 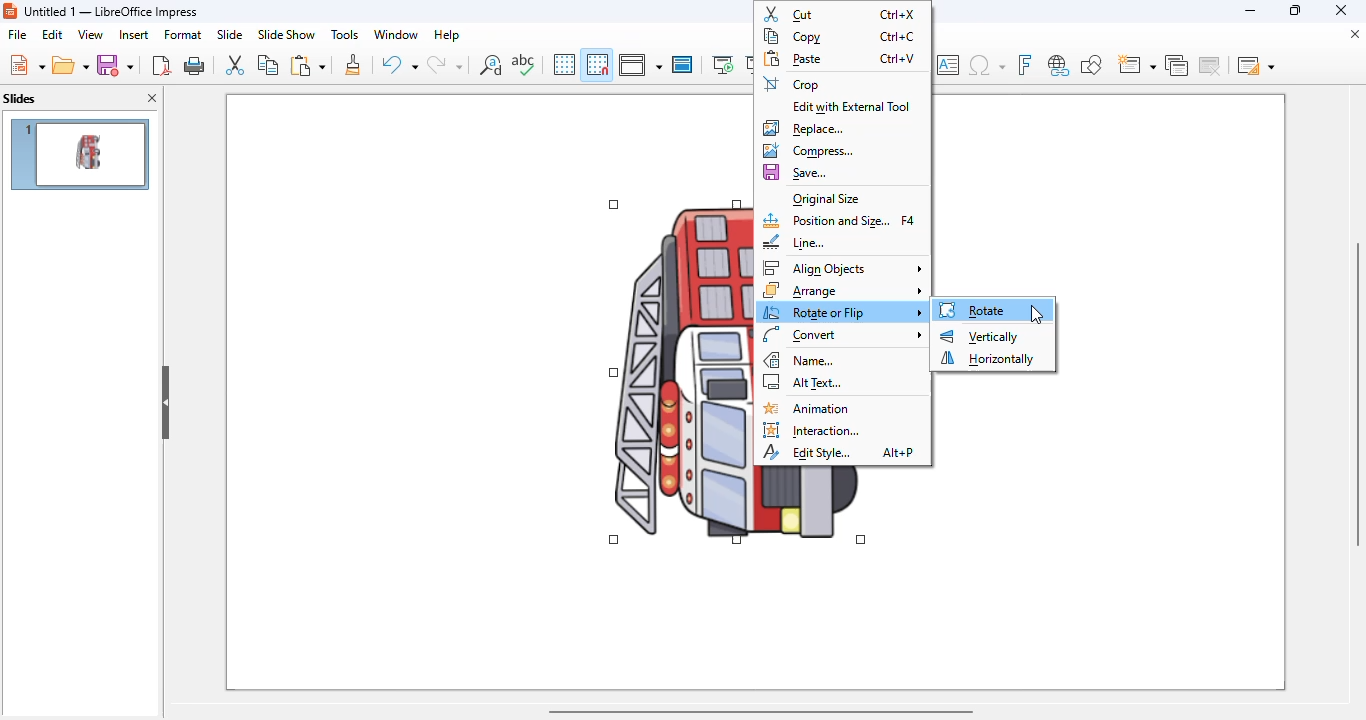 What do you see at coordinates (398, 63) in the screenshot?
I see `undo` at bounding box center [398, 63].